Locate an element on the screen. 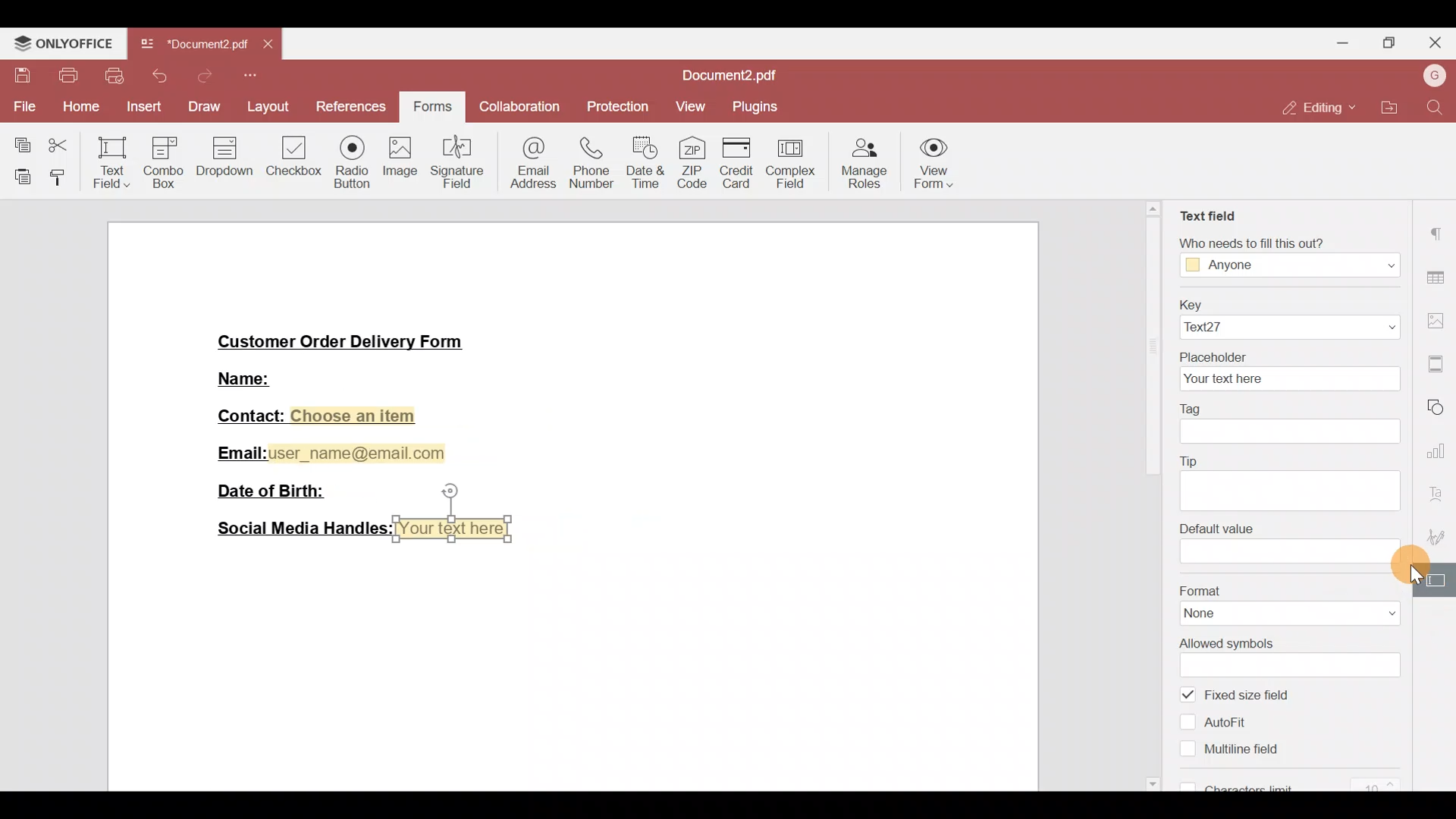  Name: is located at coordinates (263, 377).